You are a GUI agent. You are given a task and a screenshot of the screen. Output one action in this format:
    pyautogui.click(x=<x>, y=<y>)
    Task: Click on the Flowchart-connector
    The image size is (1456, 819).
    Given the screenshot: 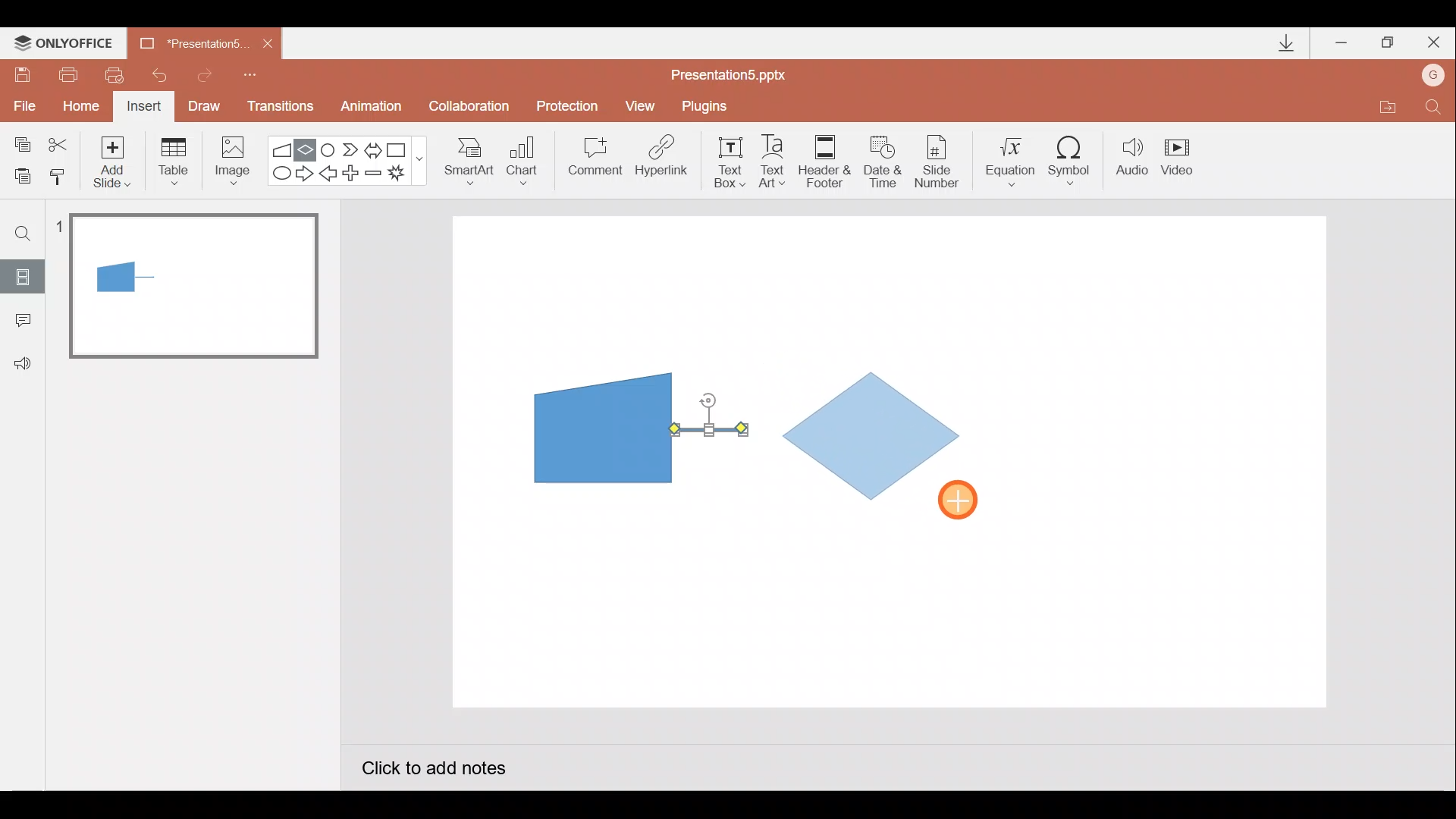 What is the action you would take?
    pyautogui.click(x=329, y=149)
    